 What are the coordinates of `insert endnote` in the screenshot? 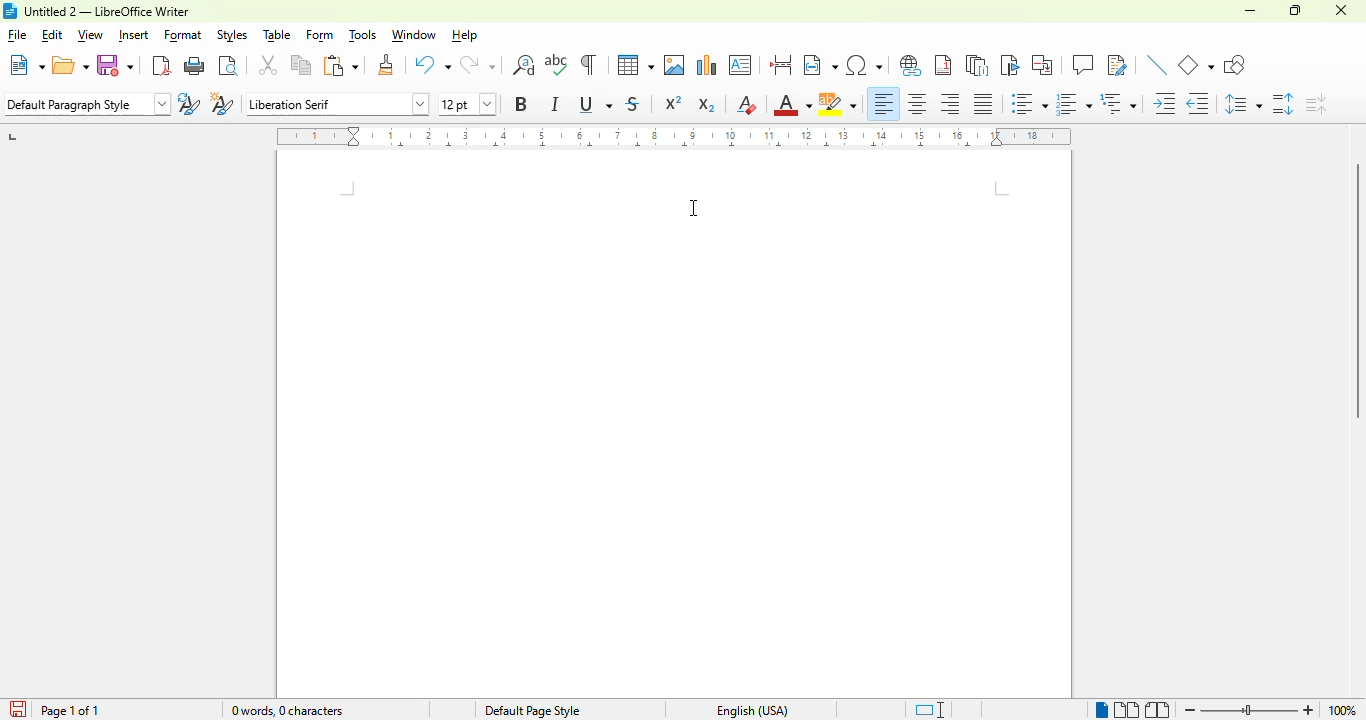 It's located at (978, 66).